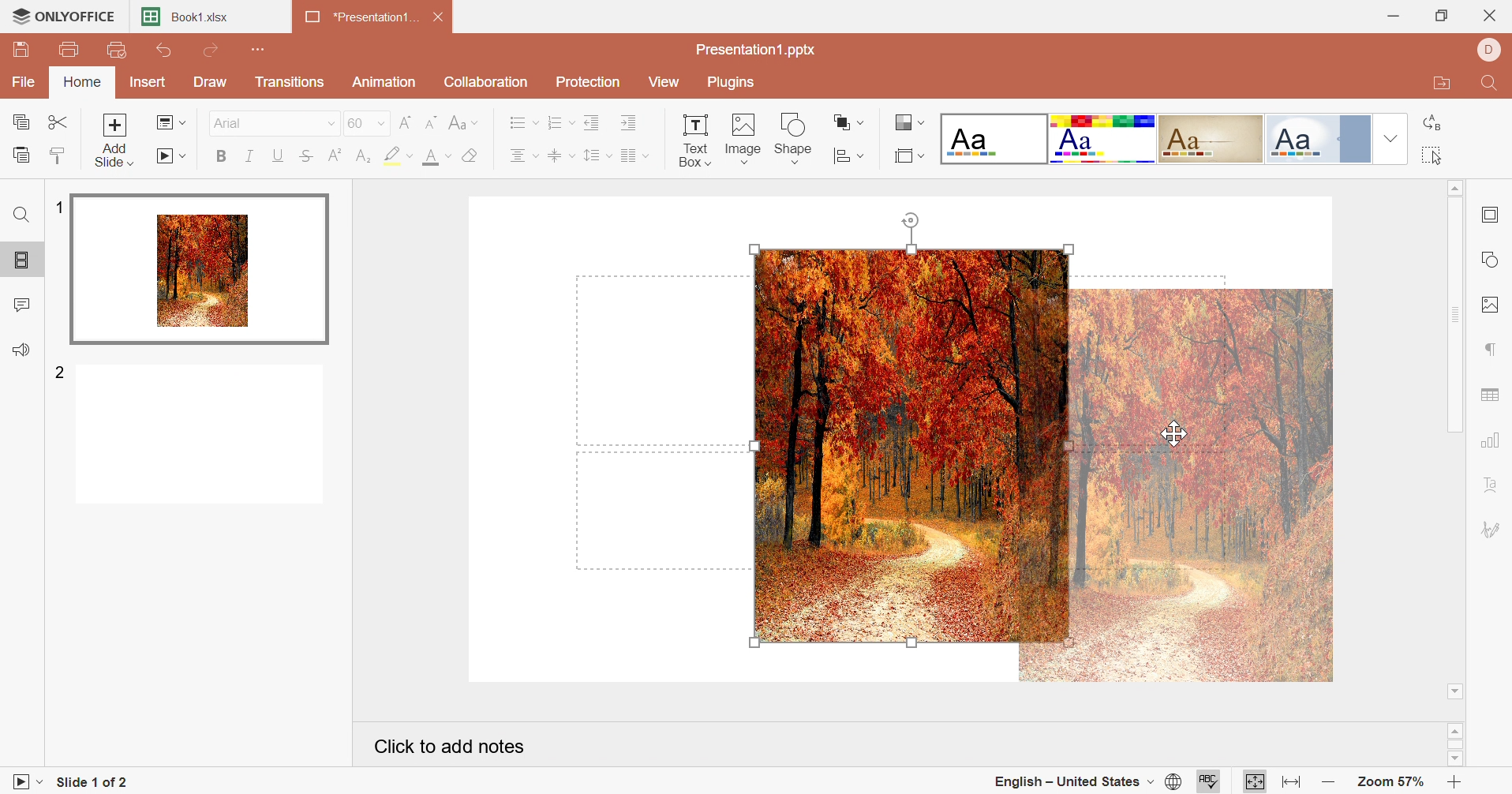 This screenshot has height=794, width=1512. Describe the element at coordinates (1390, 139) in the screenshot. I see `Drop Down` at that location.